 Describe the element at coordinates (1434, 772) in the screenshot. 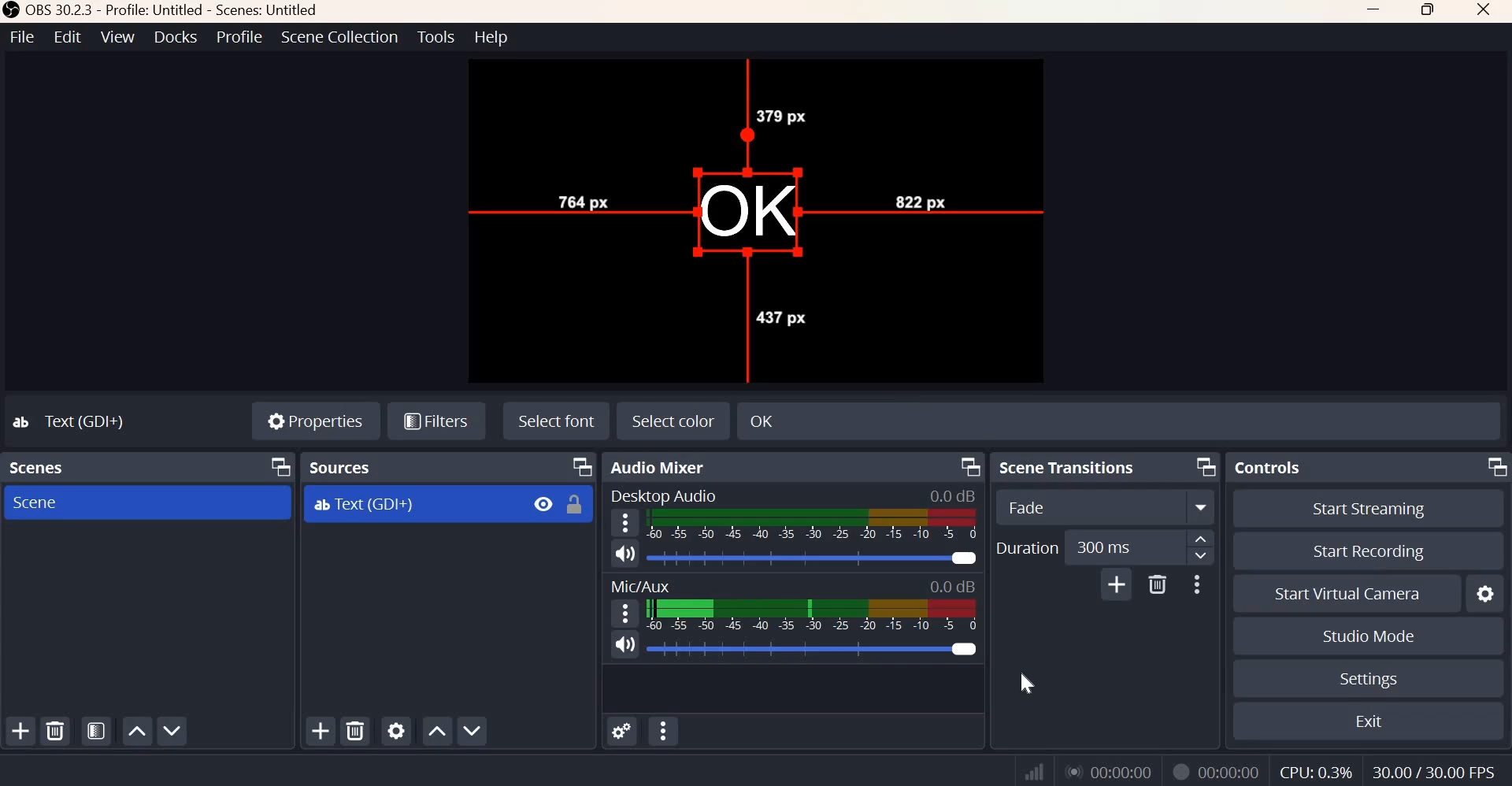

I see `Frame Rate (FPS)` at that location.